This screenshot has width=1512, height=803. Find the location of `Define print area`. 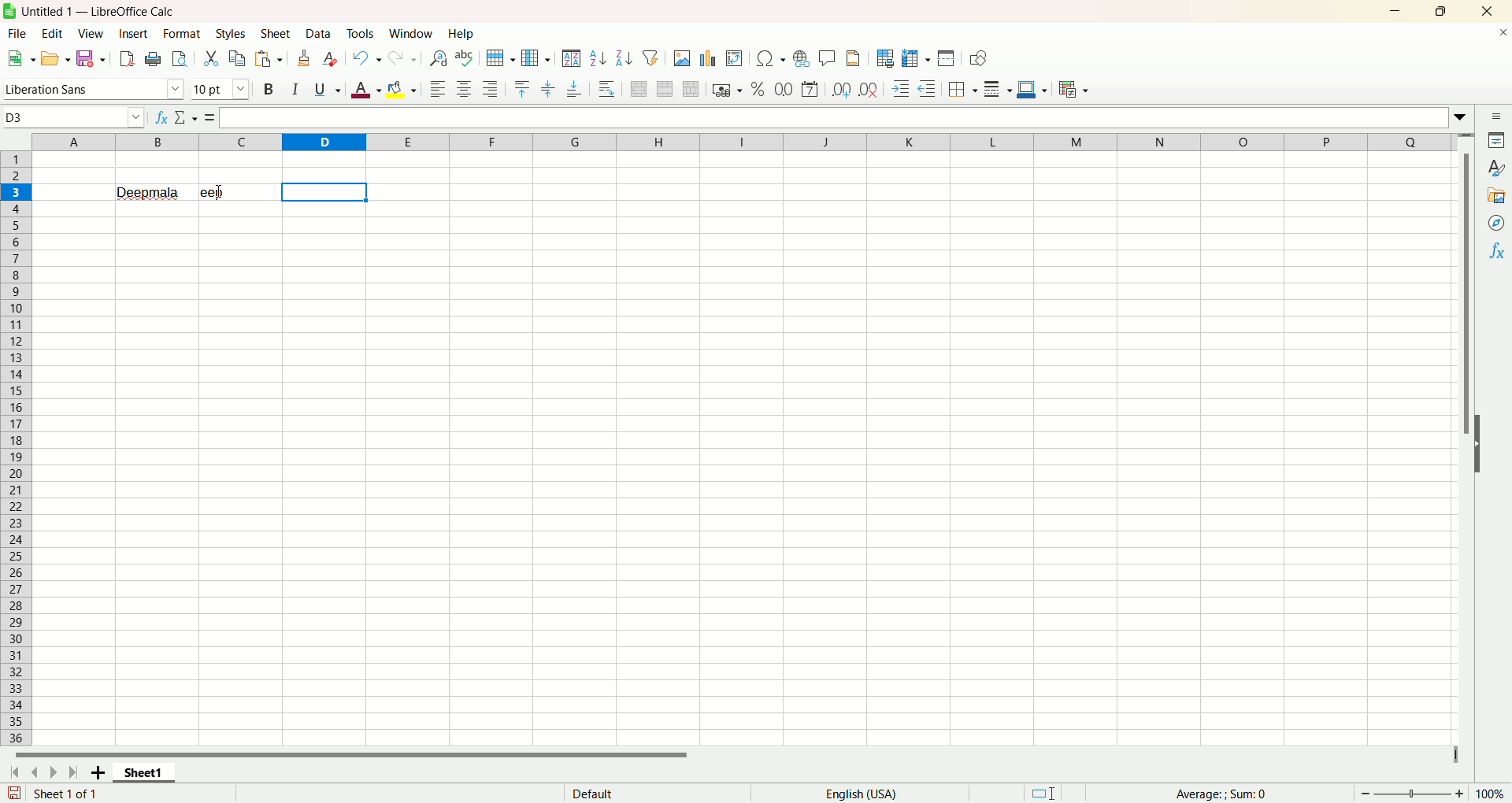

Define print area is located at coordinates (886, 58).